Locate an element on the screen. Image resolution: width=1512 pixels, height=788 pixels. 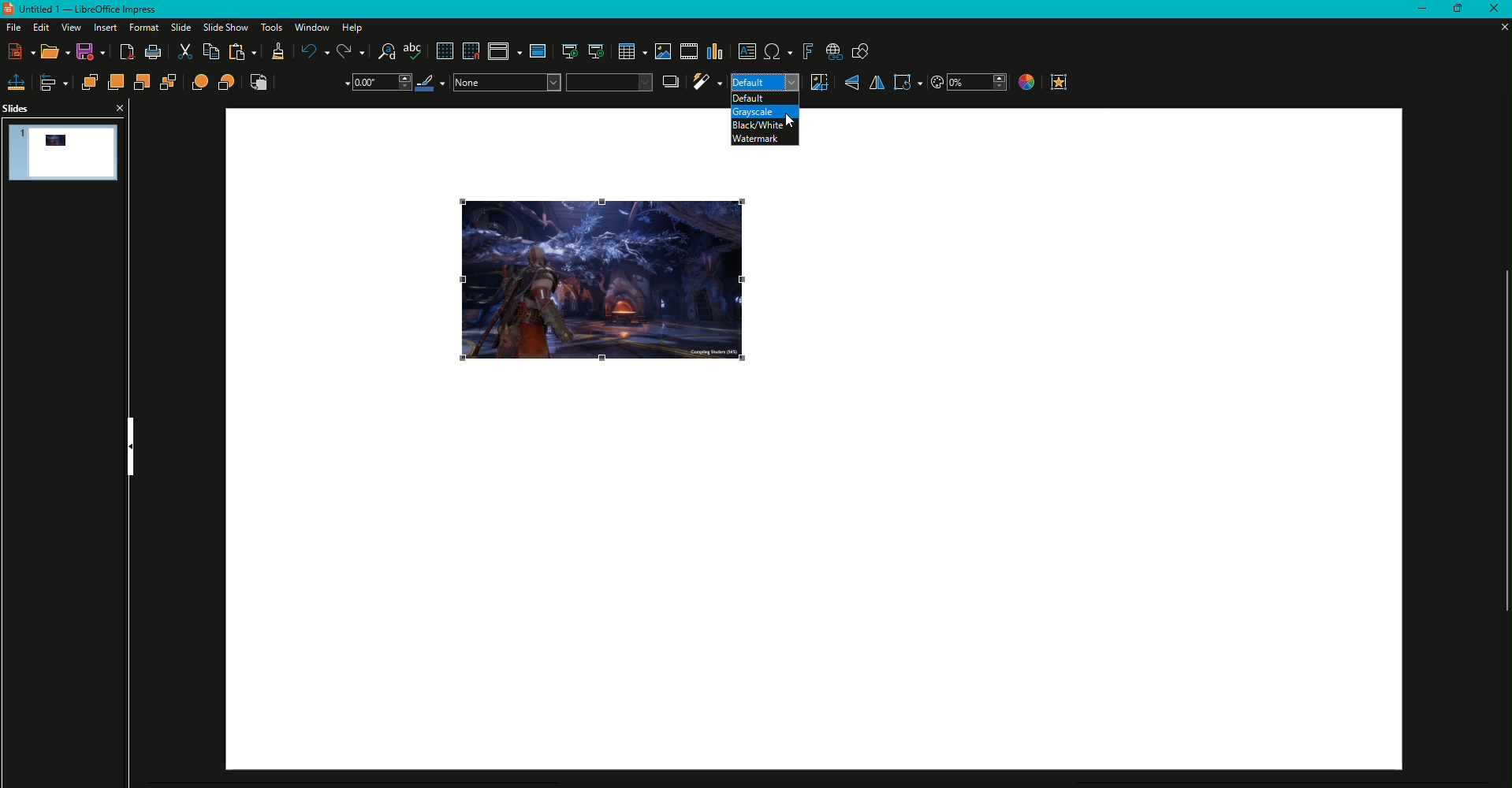
Cut is located at coordinates (184, 53).